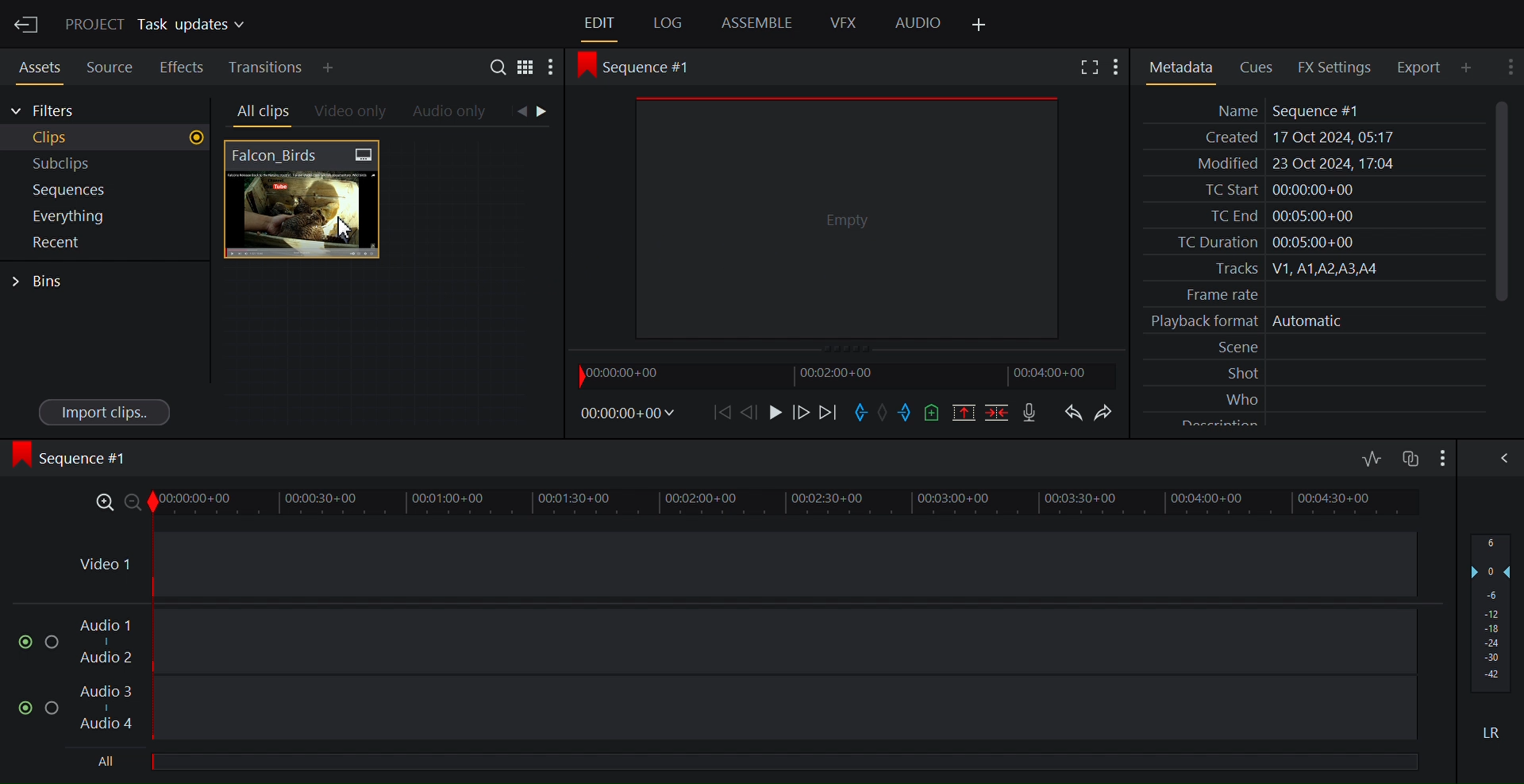 The width and height of the screenshot is (1524, 784). Describe the element at coordinates (1490, 612) in the screenshot. I see `Audio output level` at that location.